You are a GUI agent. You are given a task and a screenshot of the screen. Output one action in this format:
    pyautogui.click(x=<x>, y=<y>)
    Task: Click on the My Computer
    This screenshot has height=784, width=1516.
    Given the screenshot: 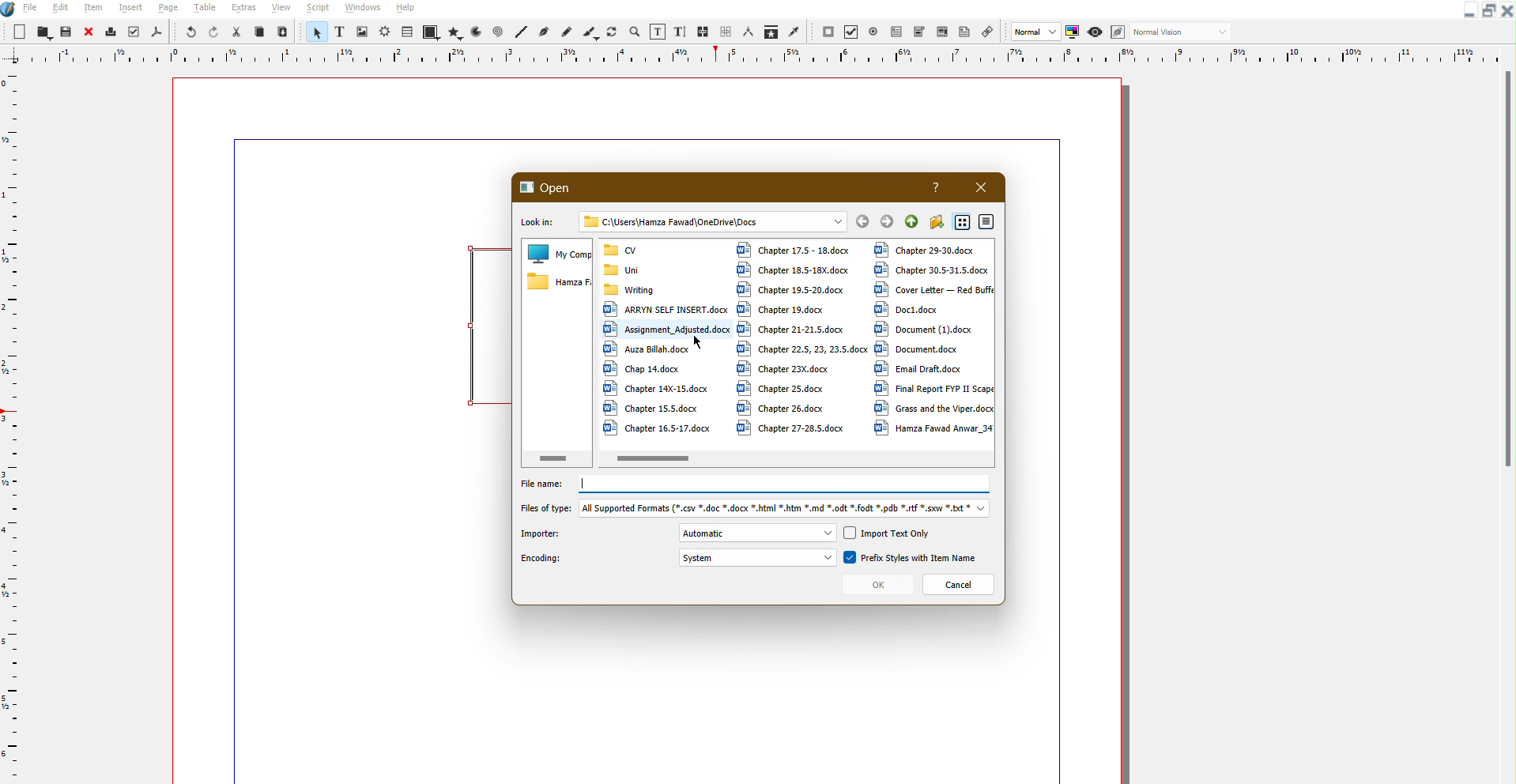 What is the action you would take?
    pyautogui.click(x=557, y=254)
    